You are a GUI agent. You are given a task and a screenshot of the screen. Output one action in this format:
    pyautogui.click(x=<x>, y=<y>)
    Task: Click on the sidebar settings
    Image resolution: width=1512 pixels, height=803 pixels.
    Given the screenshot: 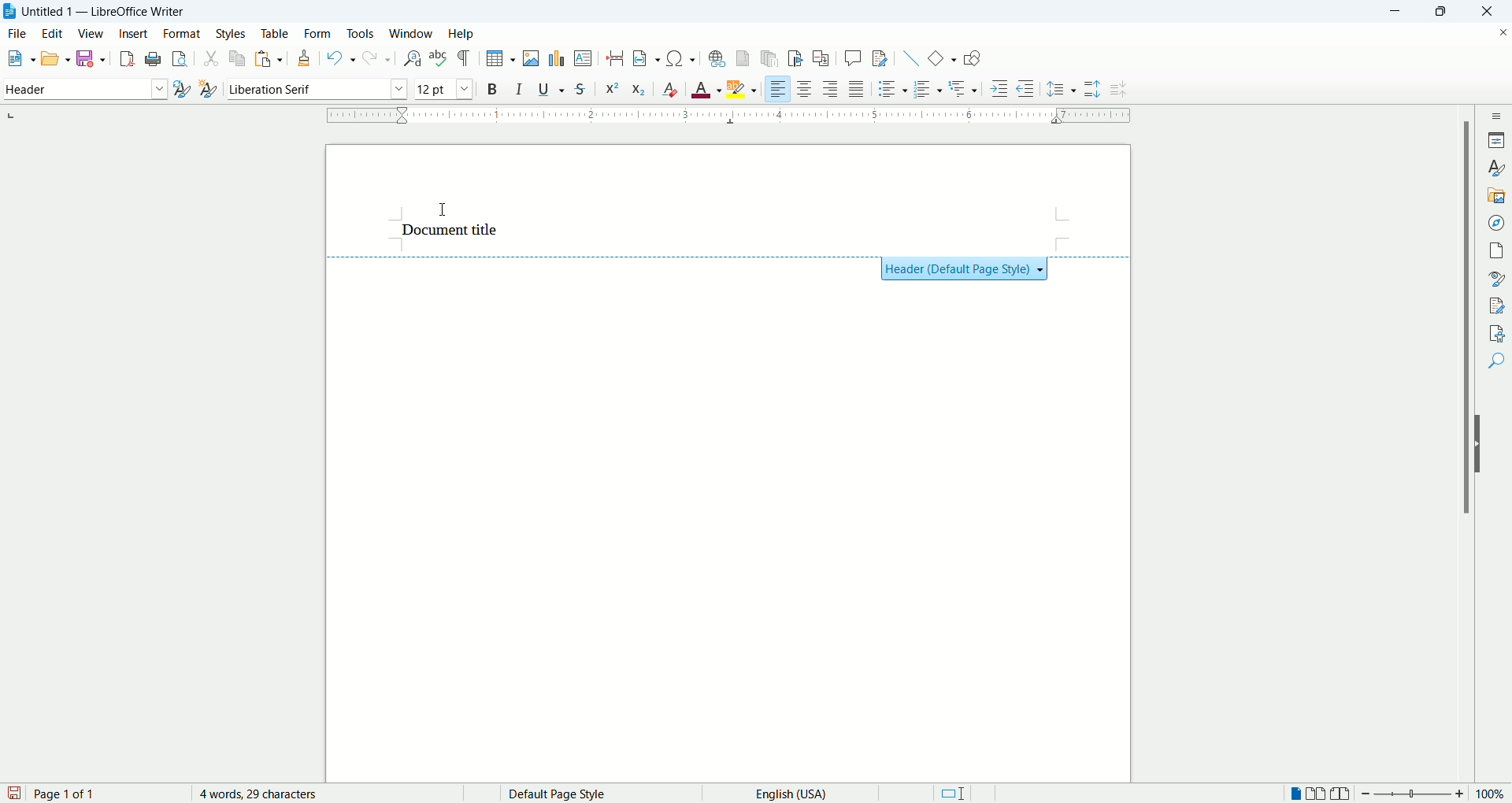 What is the action you would take?
    pyautogui.click(x=1499, y=117)
    